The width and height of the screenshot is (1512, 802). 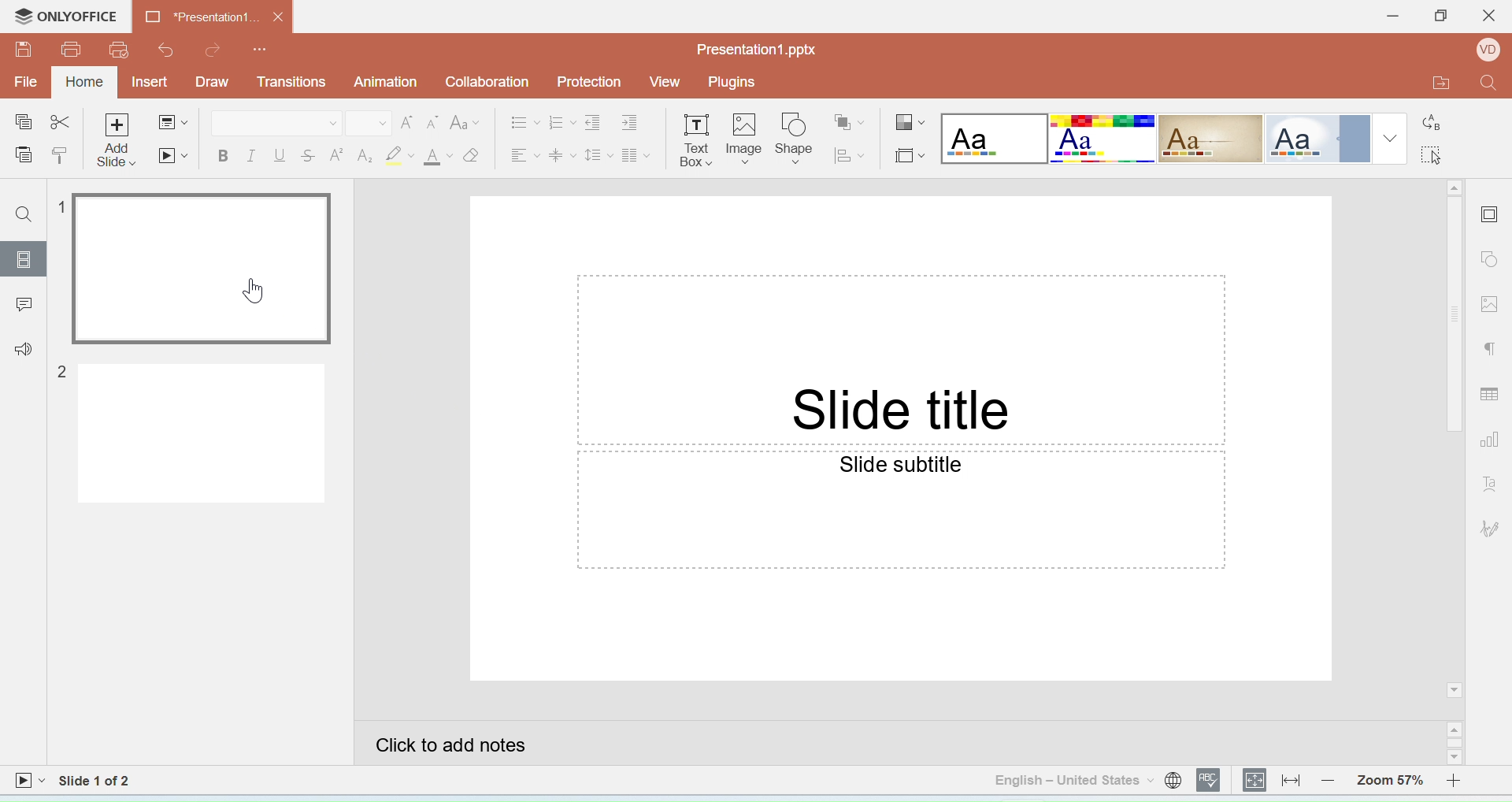 What do you see at coordinates (337, 154) in the screenshot?
I see `Superscript` at bounding box center [337, 154].